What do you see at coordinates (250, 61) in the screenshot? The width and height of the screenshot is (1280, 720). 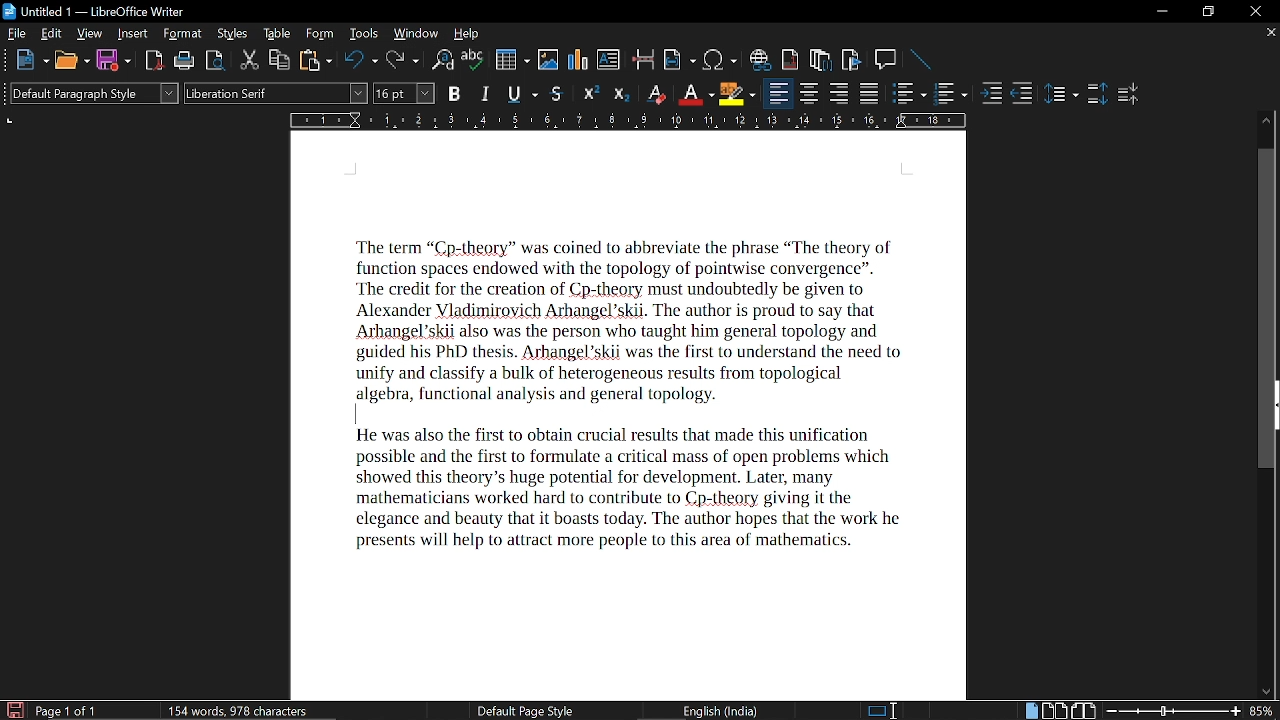 I see `Cur` at bounding box center [250, 61].